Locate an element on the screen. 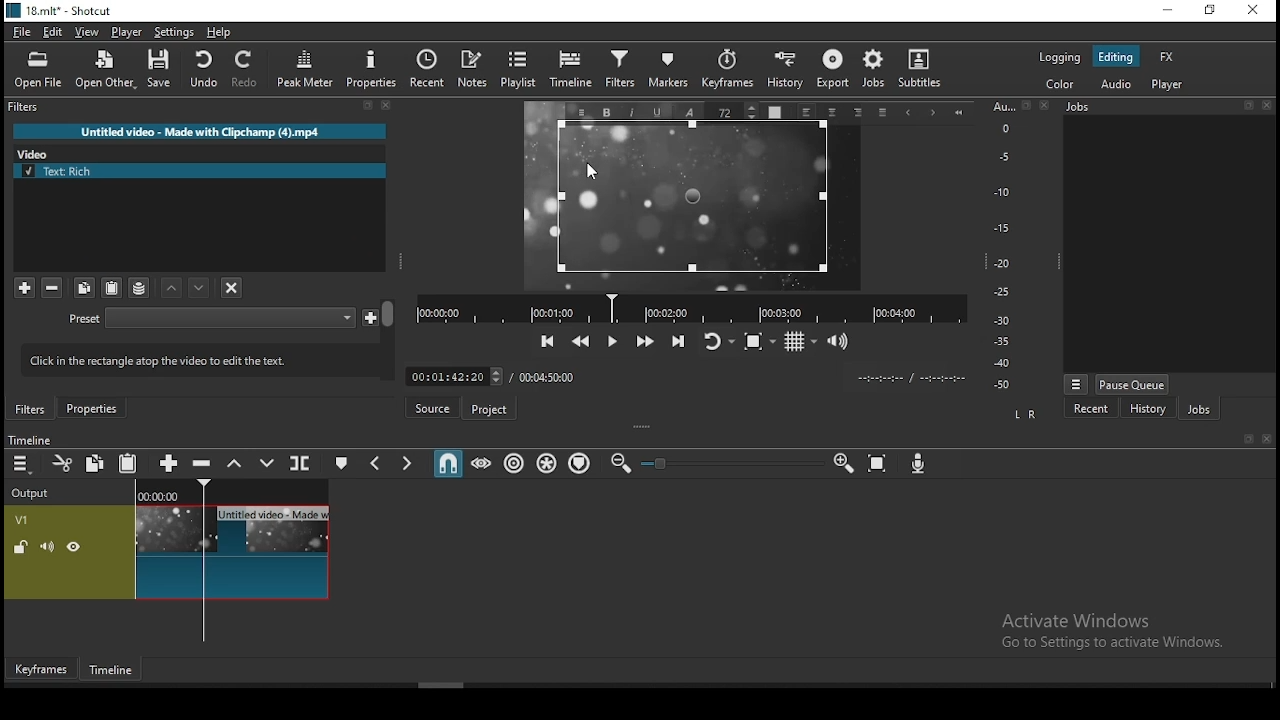  remove selected filters is located at coordinates (53, 289).